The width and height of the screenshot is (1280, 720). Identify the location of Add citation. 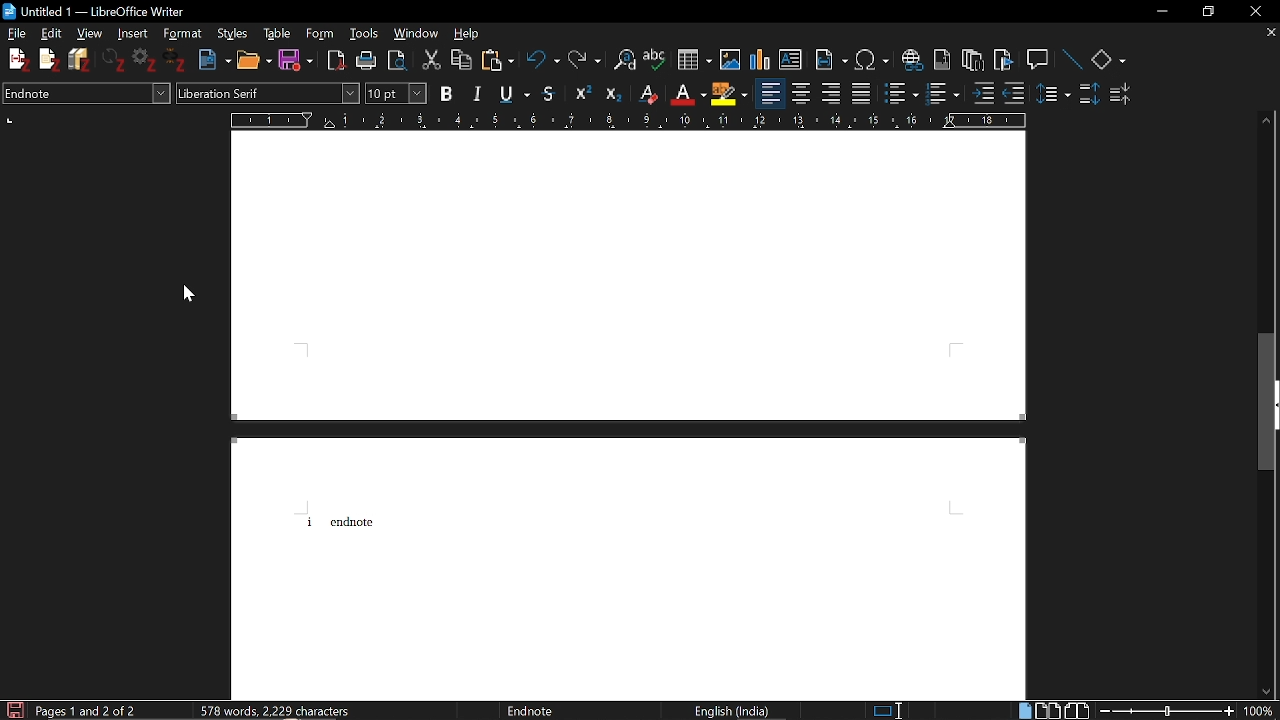
(14, 57).